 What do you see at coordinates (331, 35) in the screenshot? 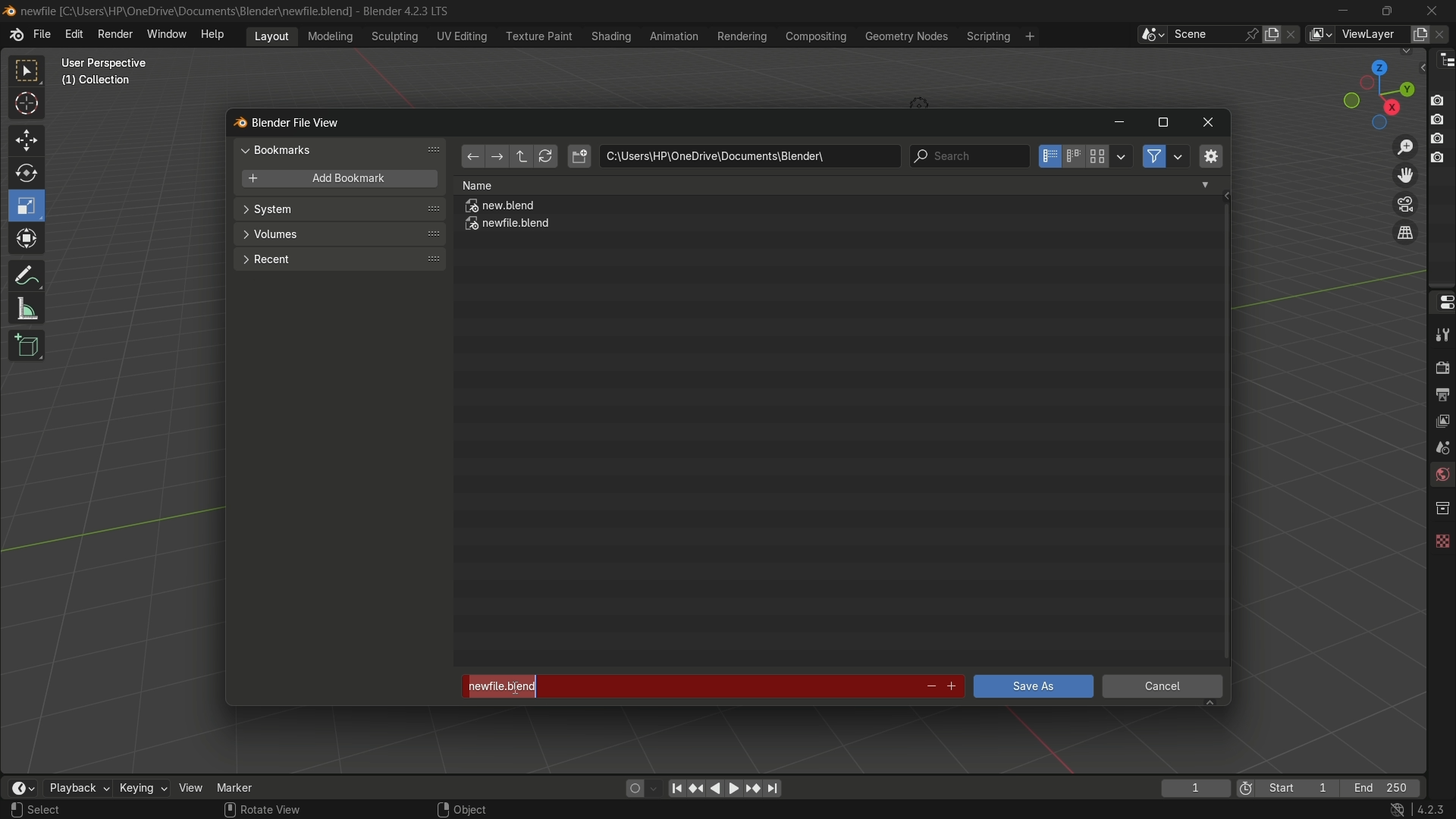
I see `modeling menu` at bounding box center [331, 35].